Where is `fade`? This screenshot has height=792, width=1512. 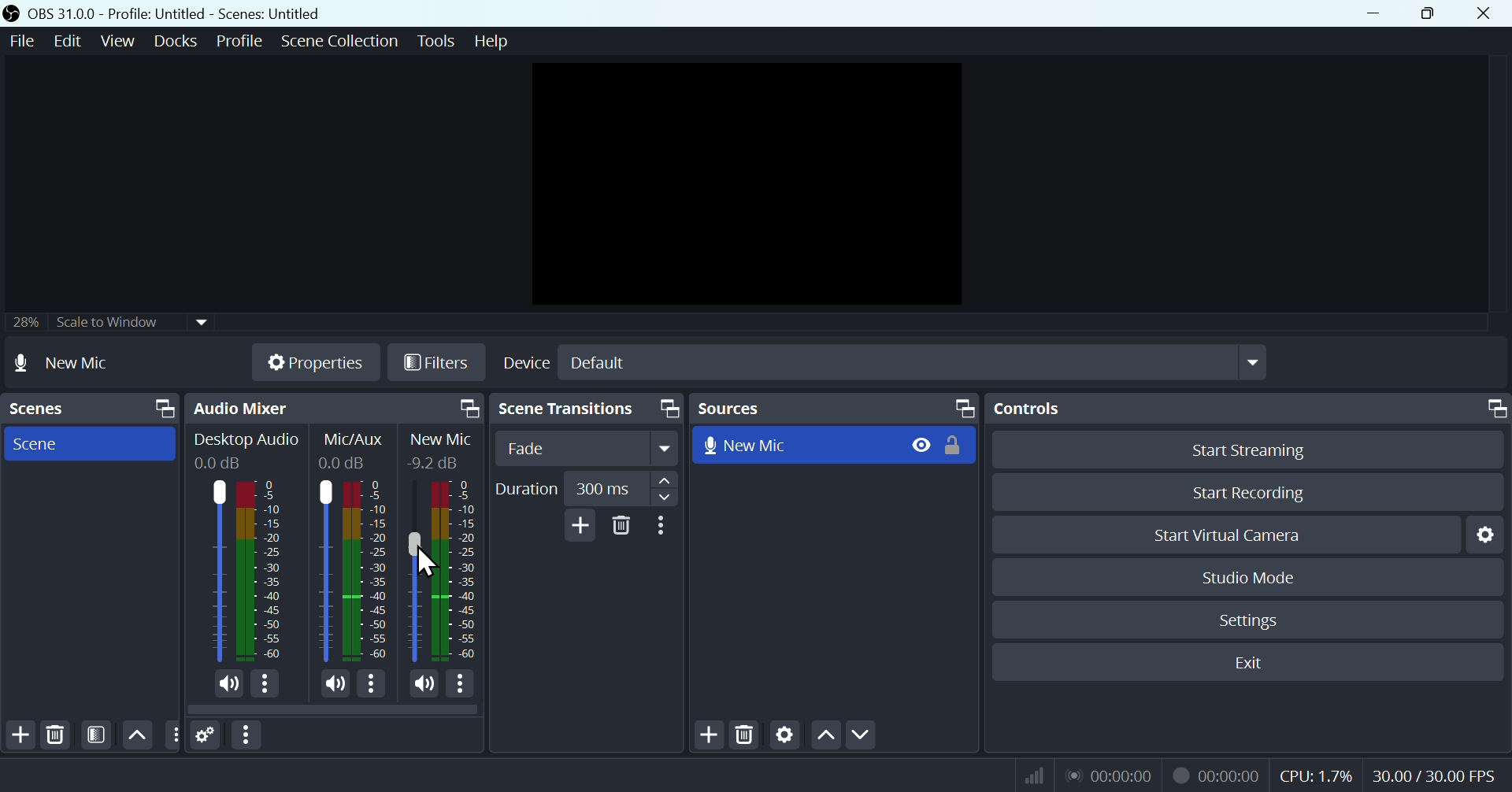 fade is located at coordinates (588, 449).